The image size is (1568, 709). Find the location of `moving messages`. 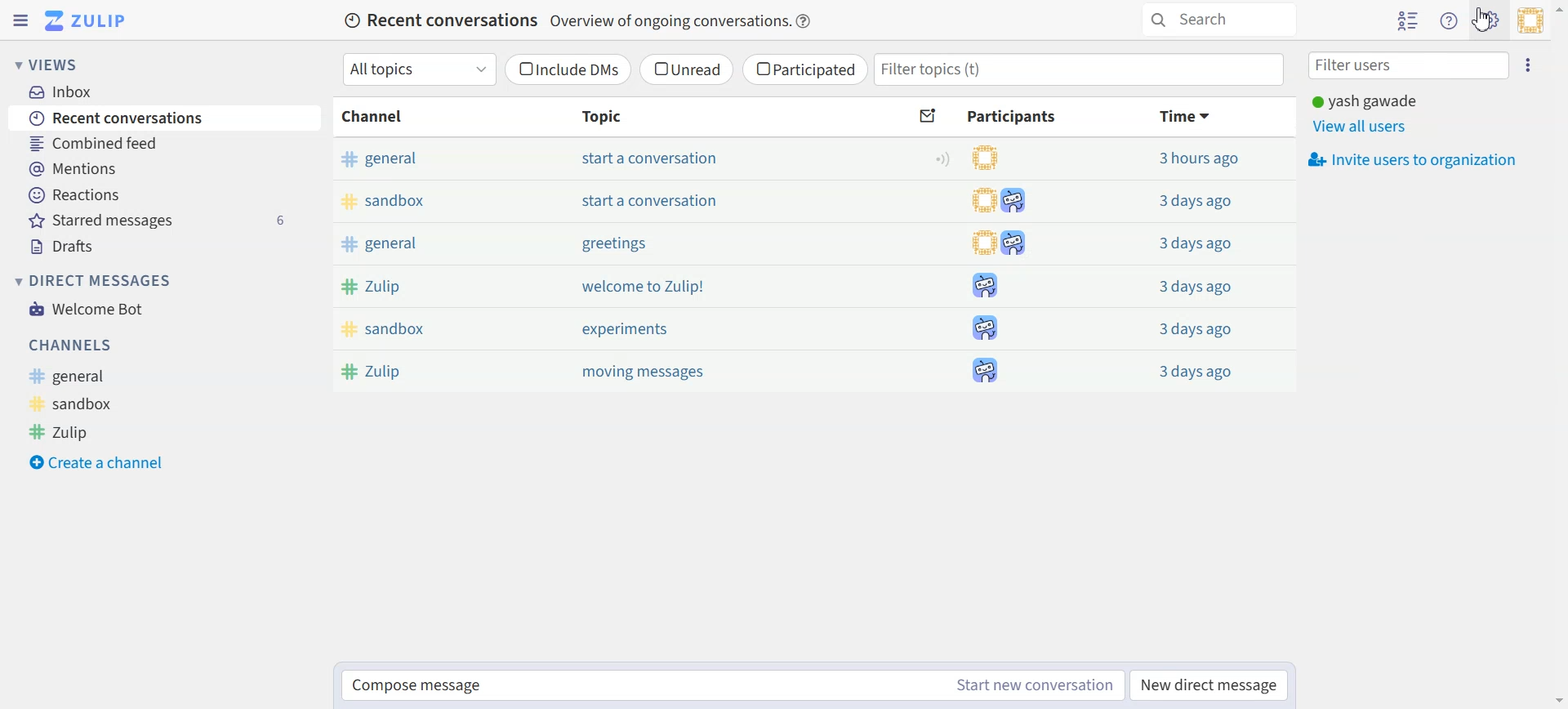

moving messages is located at coordinates (646, 372).